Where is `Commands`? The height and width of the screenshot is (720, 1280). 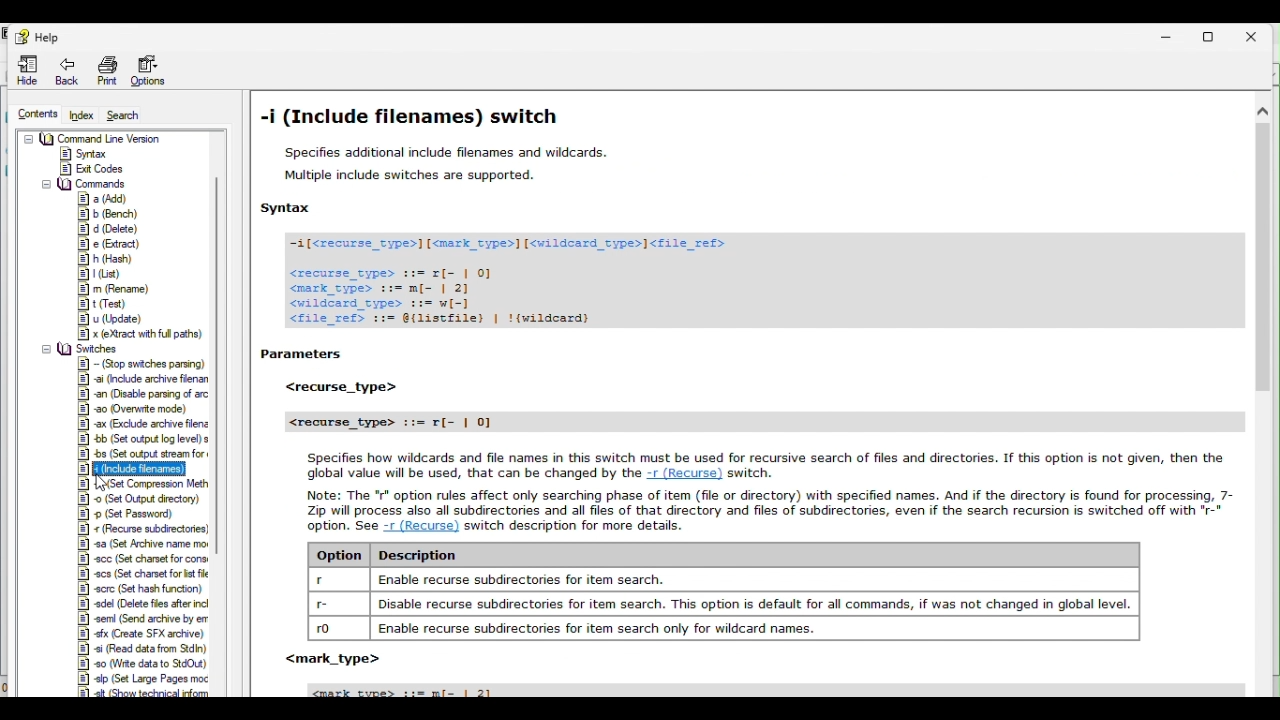
Commands is located at coordinates (85, 185).